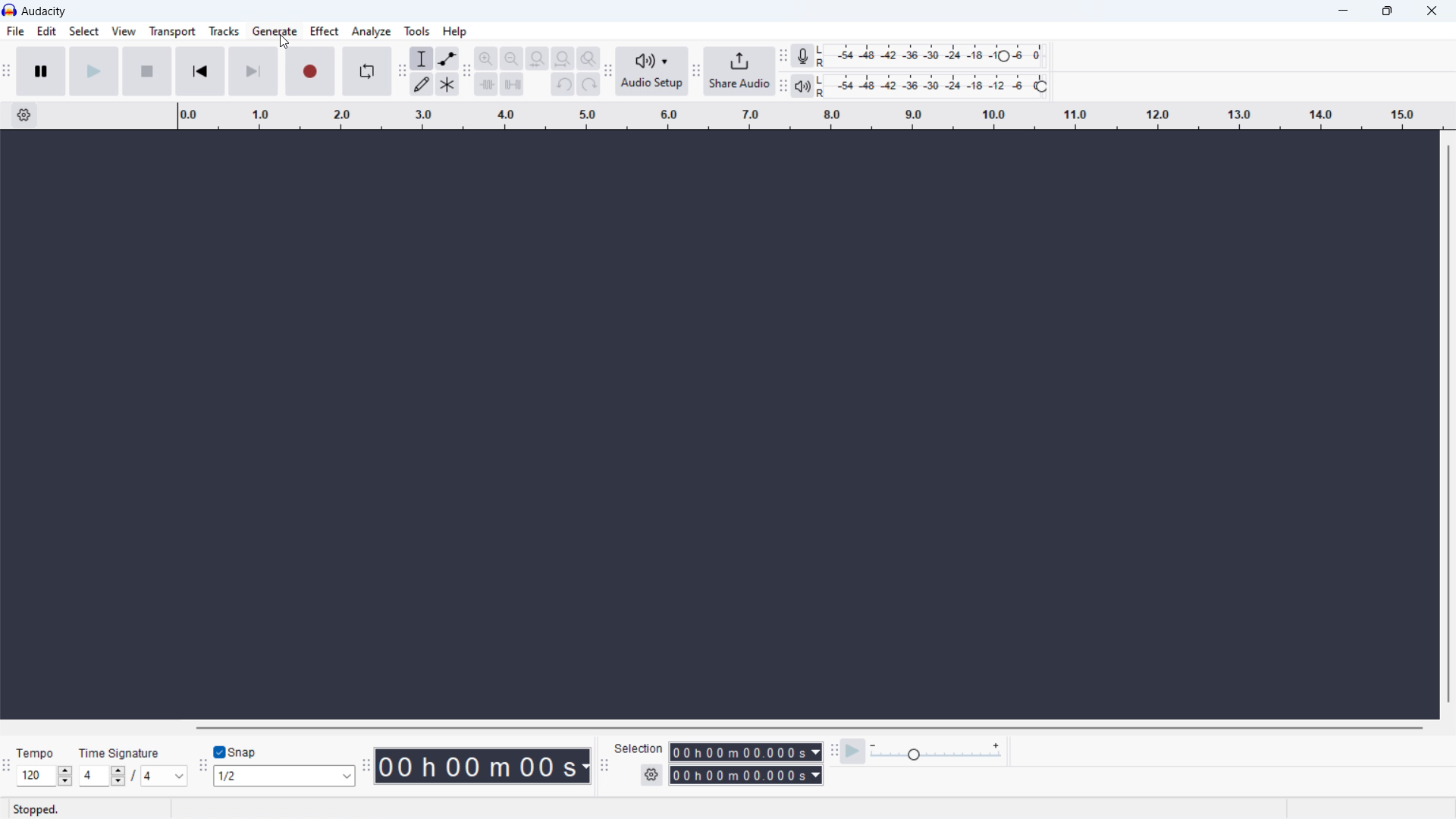 Image resolution: width=1456 pixels, height=819 pixels. I want to click on transport, so click(172, 32).